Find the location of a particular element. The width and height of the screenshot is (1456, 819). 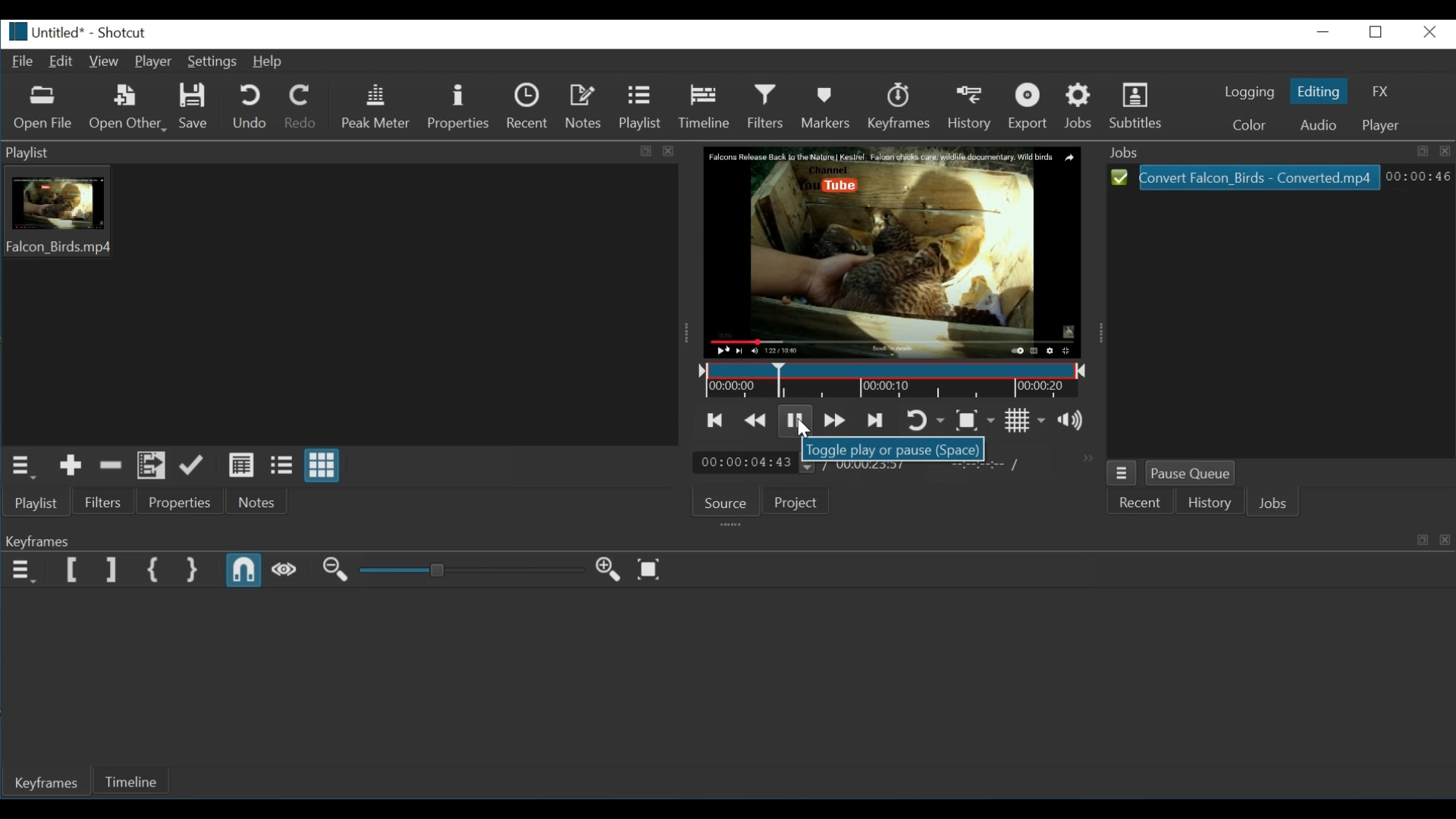

File is located at coordinates (21, 61).